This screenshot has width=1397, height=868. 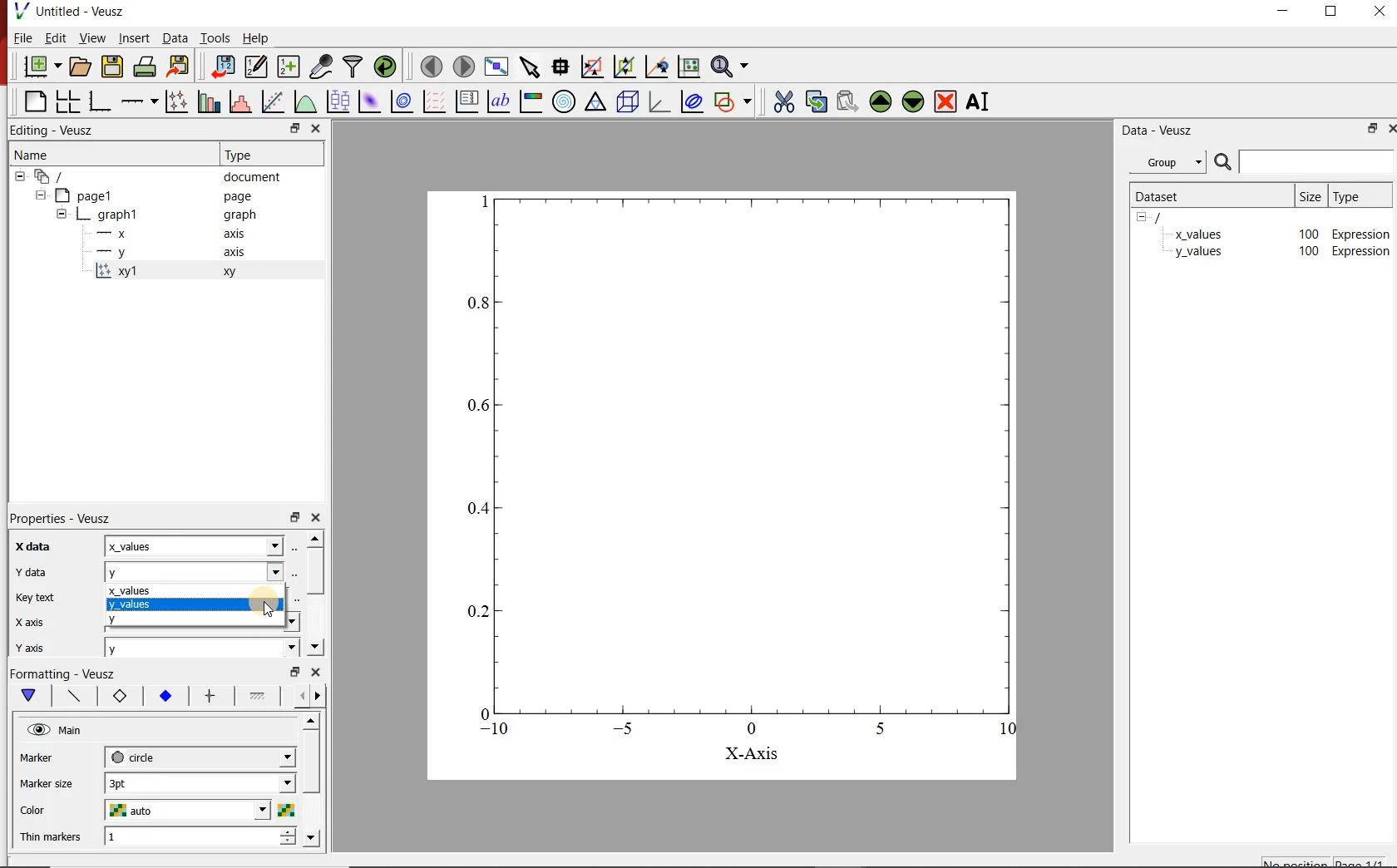 What do you see at coordinates (1307, 253) in the screenshot?
I see `100` at bounding box center [1307, 253].